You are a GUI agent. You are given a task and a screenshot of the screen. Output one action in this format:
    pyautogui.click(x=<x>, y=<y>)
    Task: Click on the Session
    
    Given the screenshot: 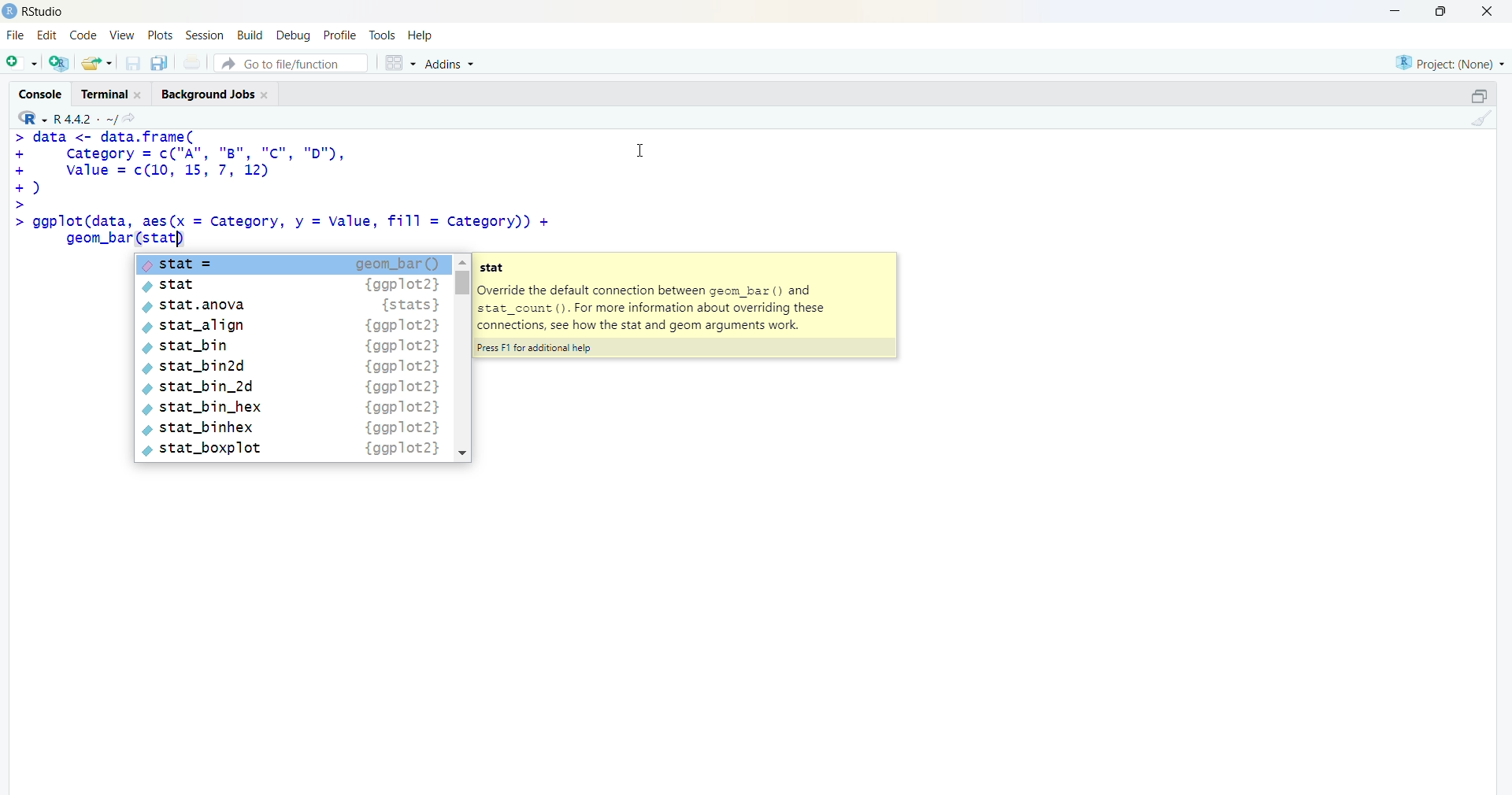 What is the action you would take?
    pyautogui.click(x=205, y=35)
    